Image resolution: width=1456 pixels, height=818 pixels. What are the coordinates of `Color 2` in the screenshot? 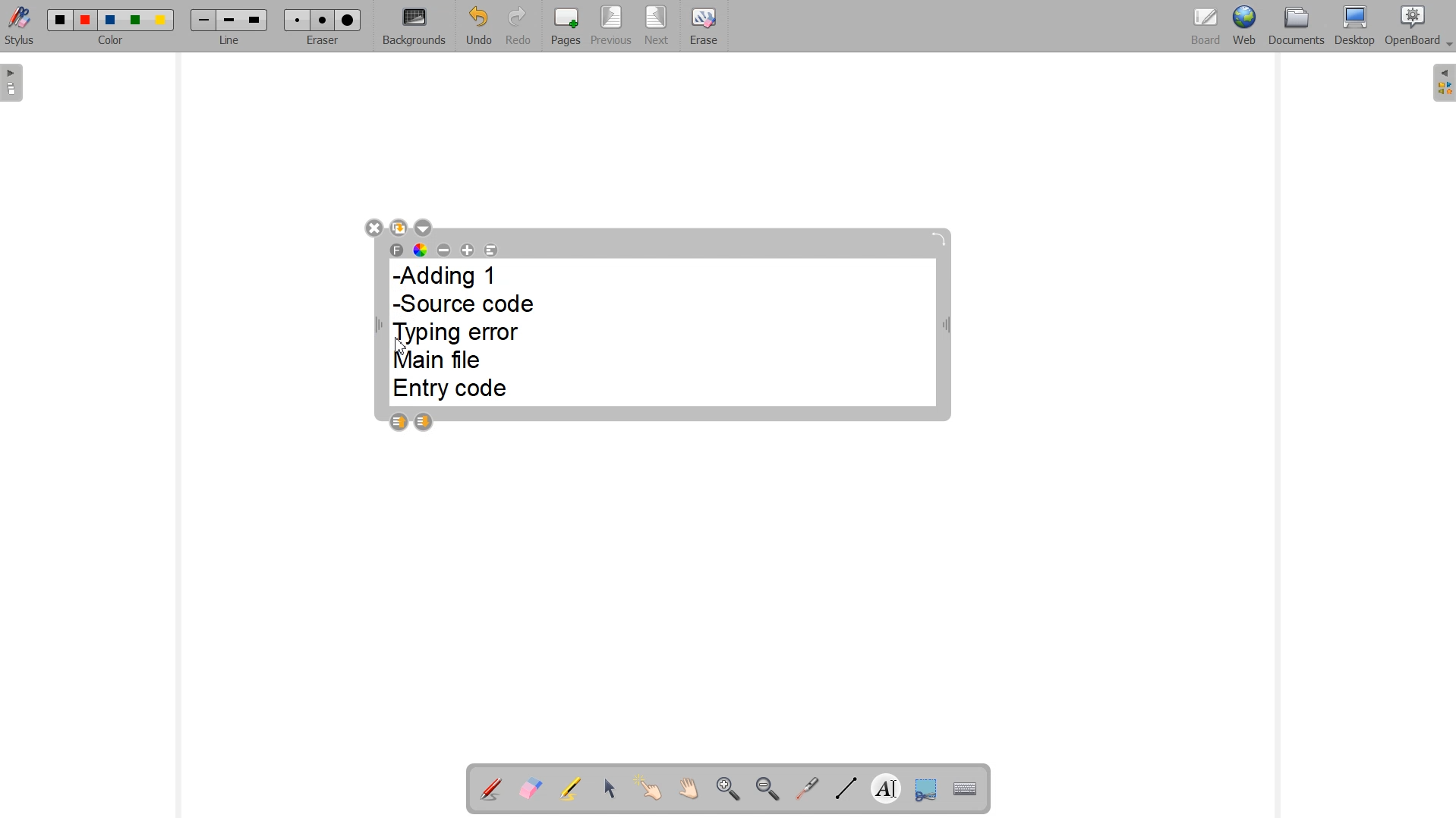 It's located at (87, 20).